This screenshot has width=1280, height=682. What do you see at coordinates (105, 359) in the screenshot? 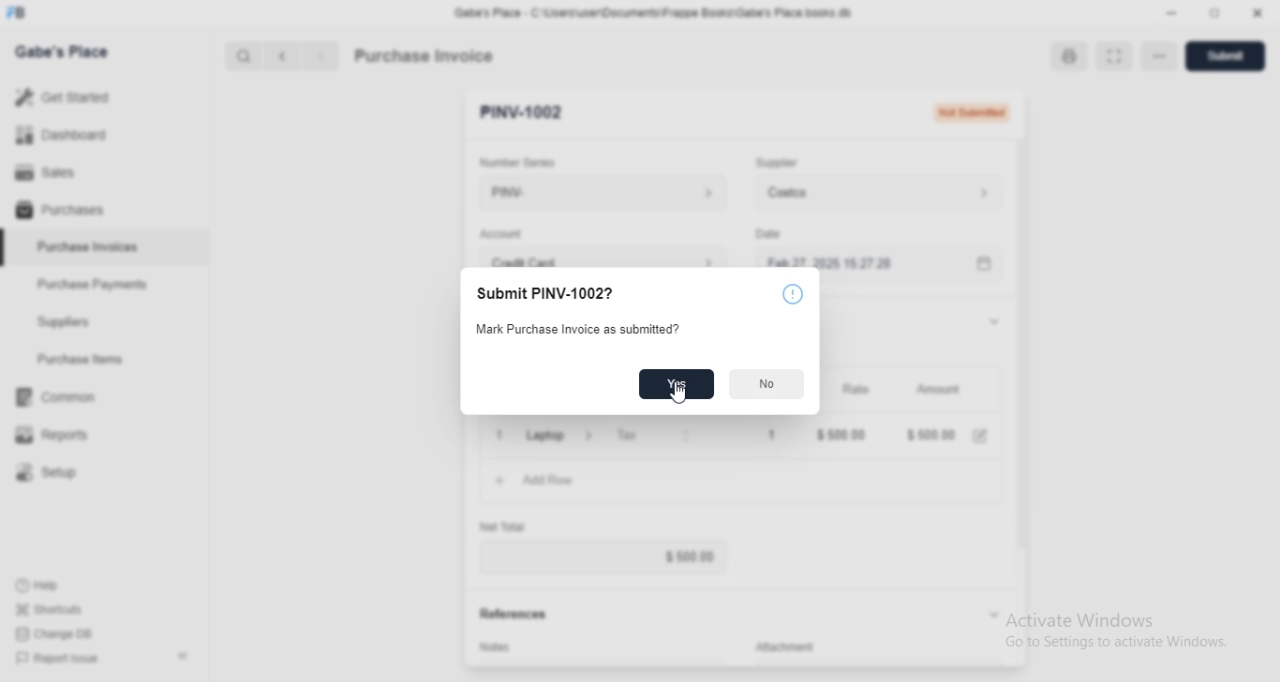
I see `Purchase Items` at bounding box center [105, 359].